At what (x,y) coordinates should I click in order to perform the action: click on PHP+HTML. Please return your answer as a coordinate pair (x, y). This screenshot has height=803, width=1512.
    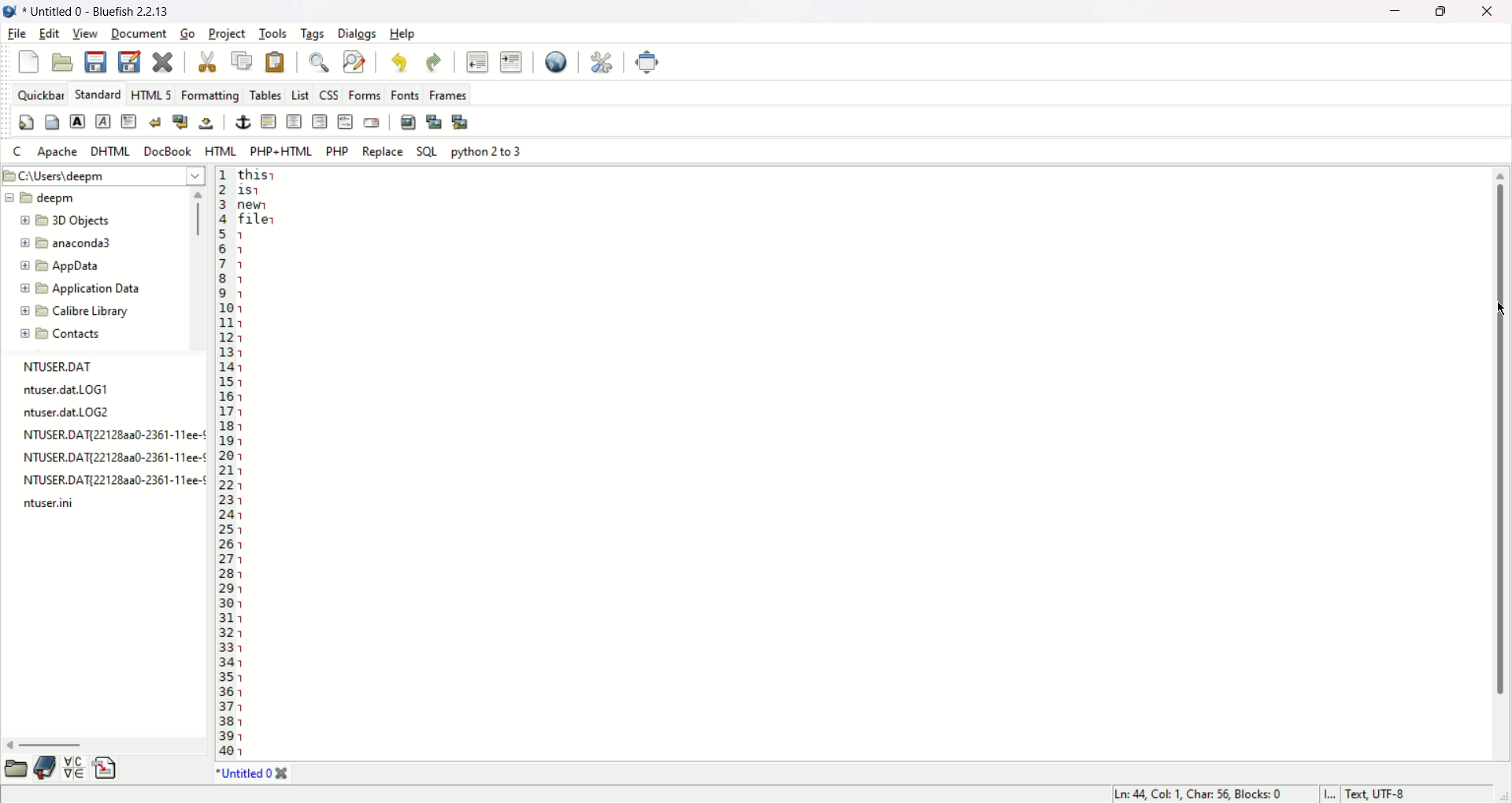
    Looking at the image, I should click on (280, 151).